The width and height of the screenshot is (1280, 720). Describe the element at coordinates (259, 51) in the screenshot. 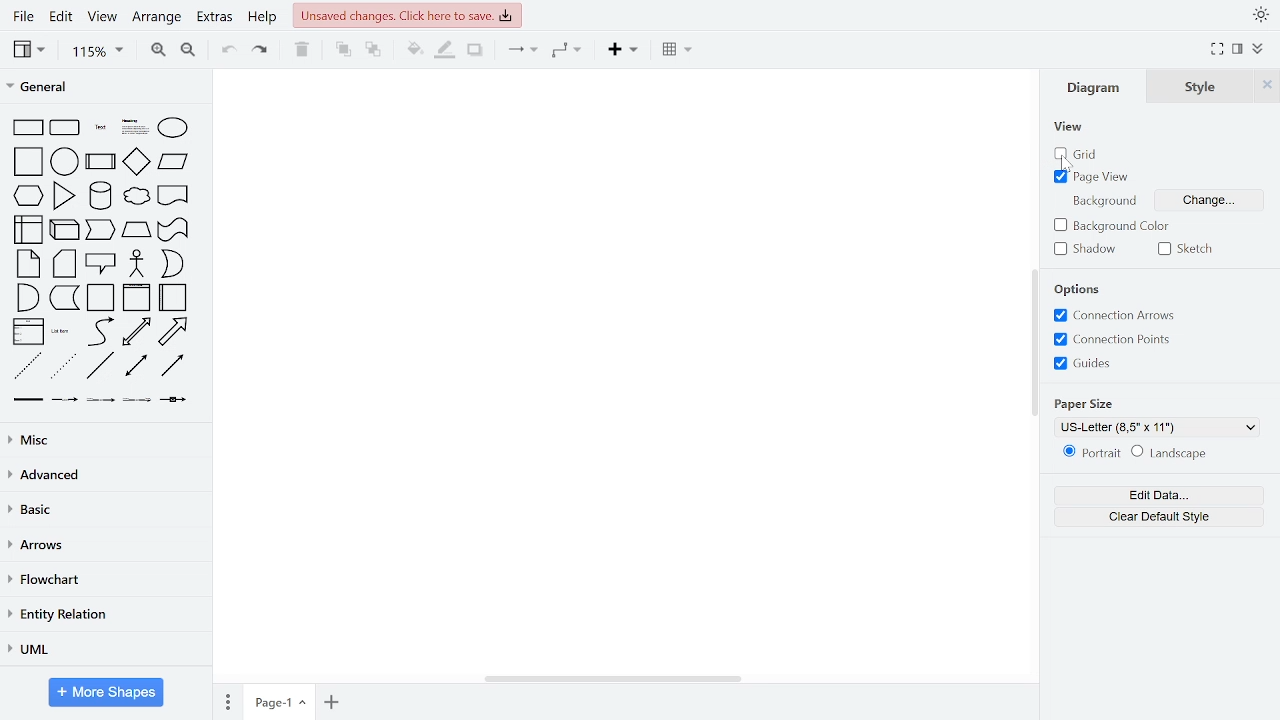

I see `redo` at that location.